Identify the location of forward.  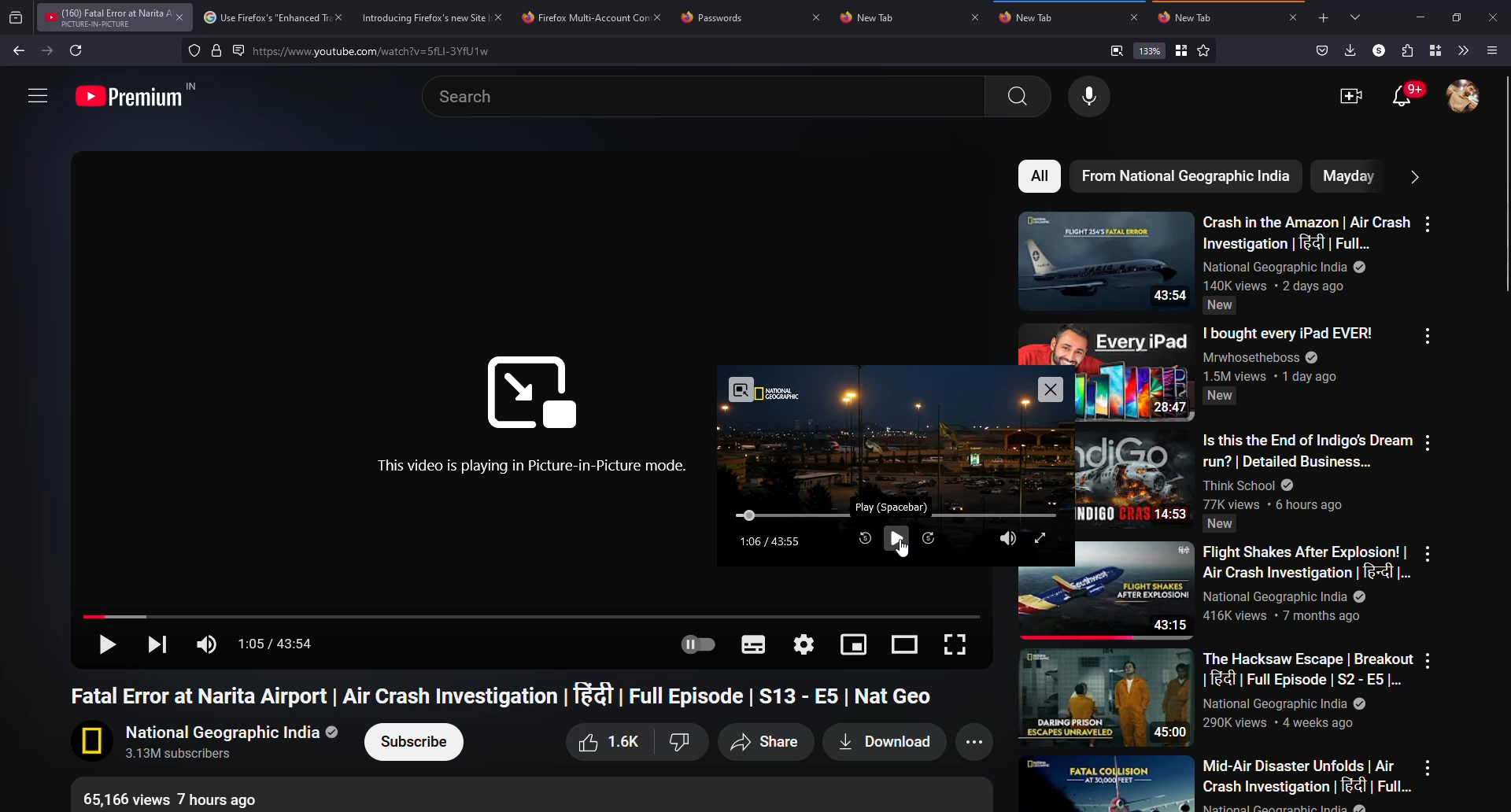
(46, 50).